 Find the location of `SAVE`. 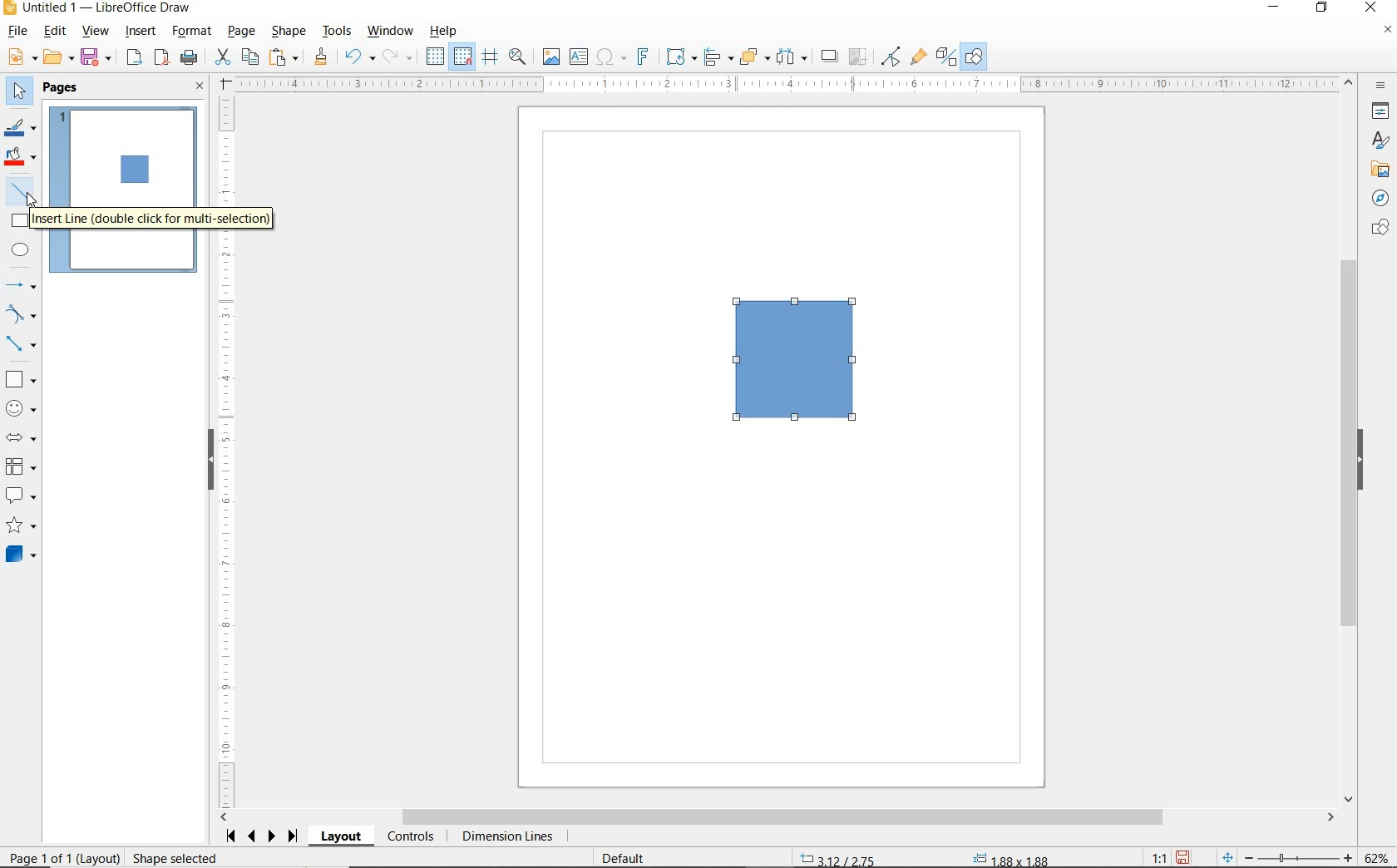

SAVE is located at coordinates (1182, 857).